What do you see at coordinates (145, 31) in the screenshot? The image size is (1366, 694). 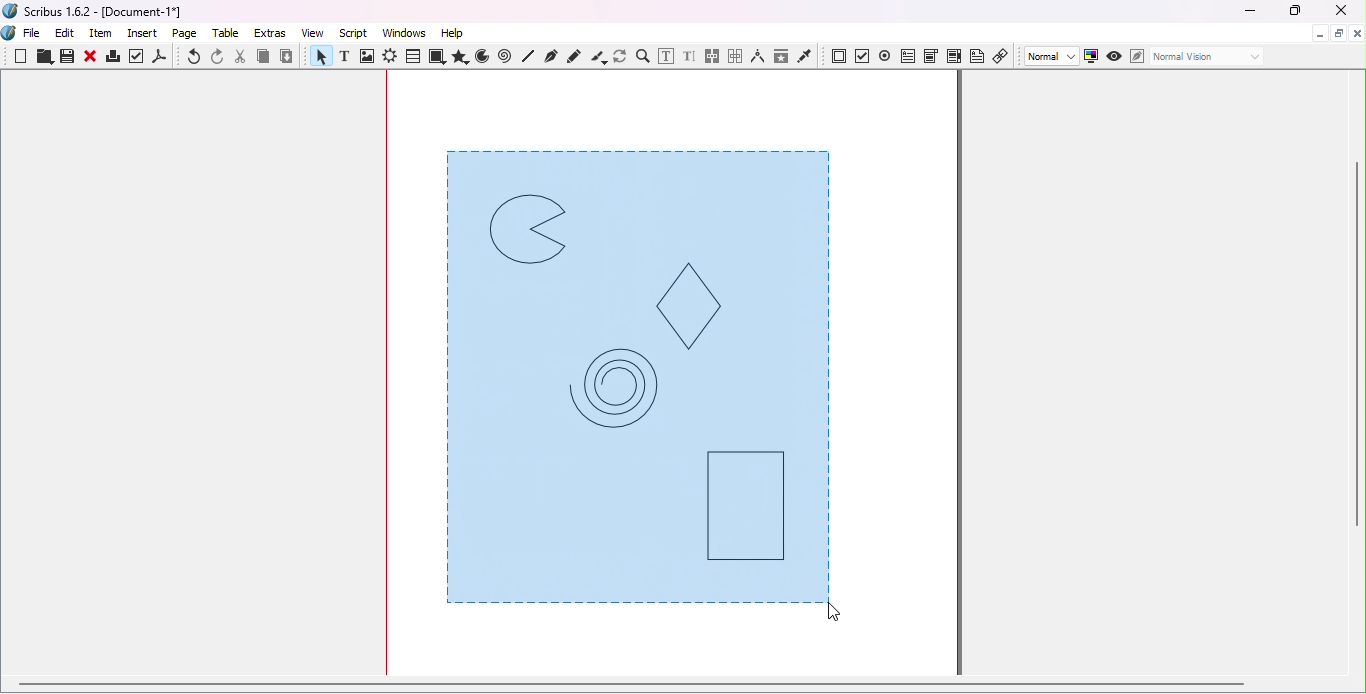 I see `Insert` at bounding box center [145, 31].